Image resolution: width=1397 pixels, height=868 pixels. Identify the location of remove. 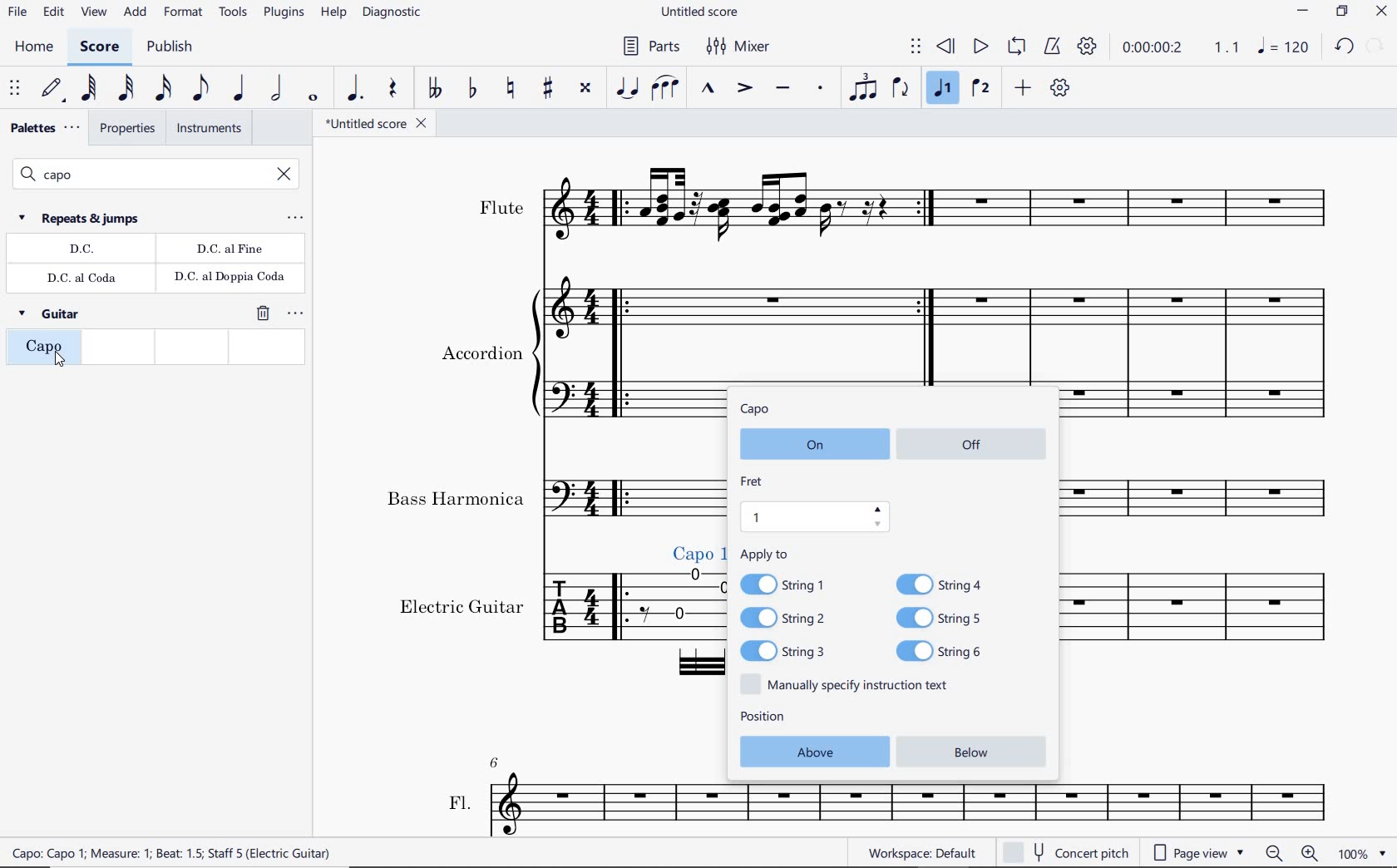
(285, 175).